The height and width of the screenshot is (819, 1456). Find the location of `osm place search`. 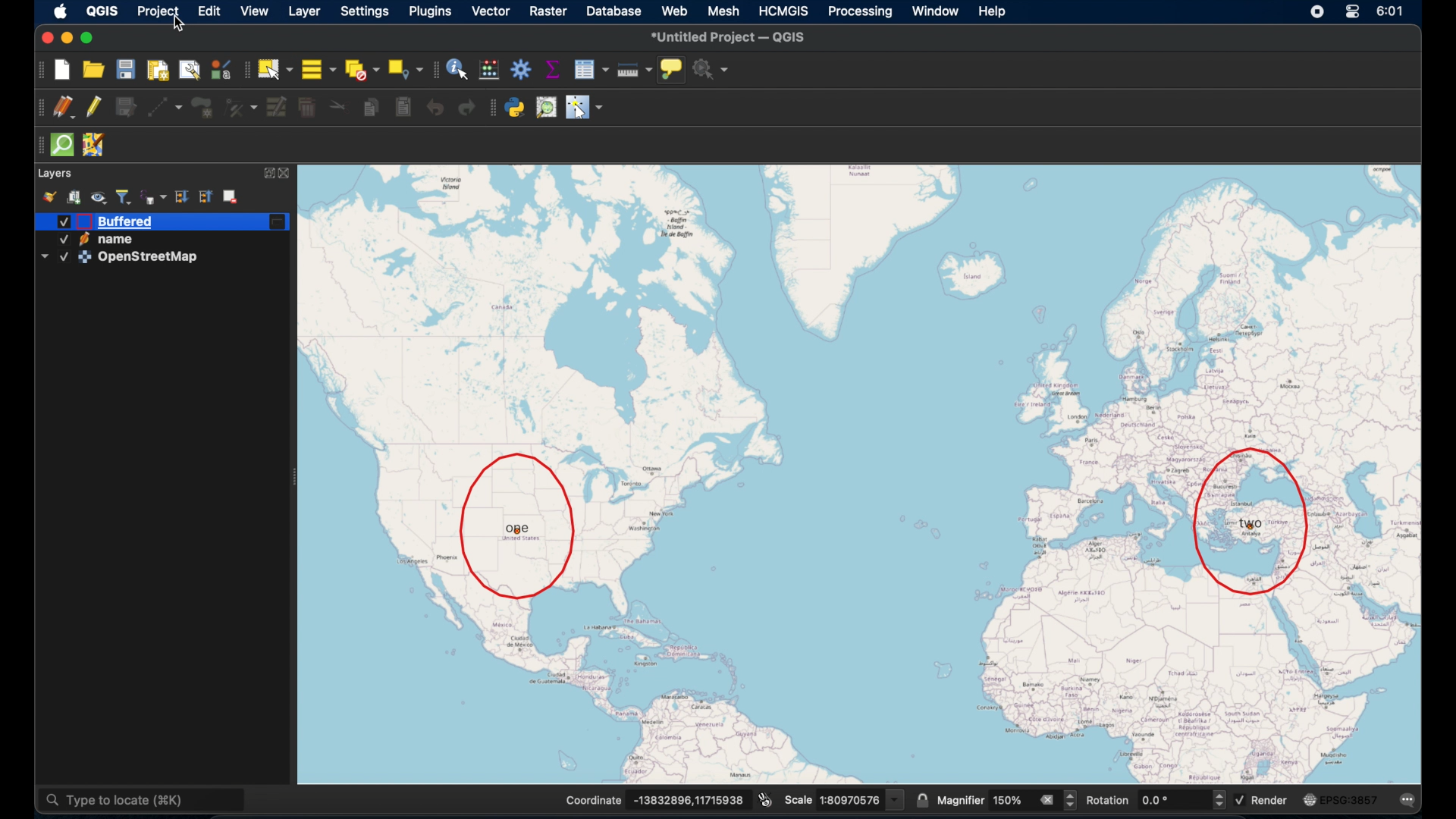

osm place search is located at coordinates (545, 108).